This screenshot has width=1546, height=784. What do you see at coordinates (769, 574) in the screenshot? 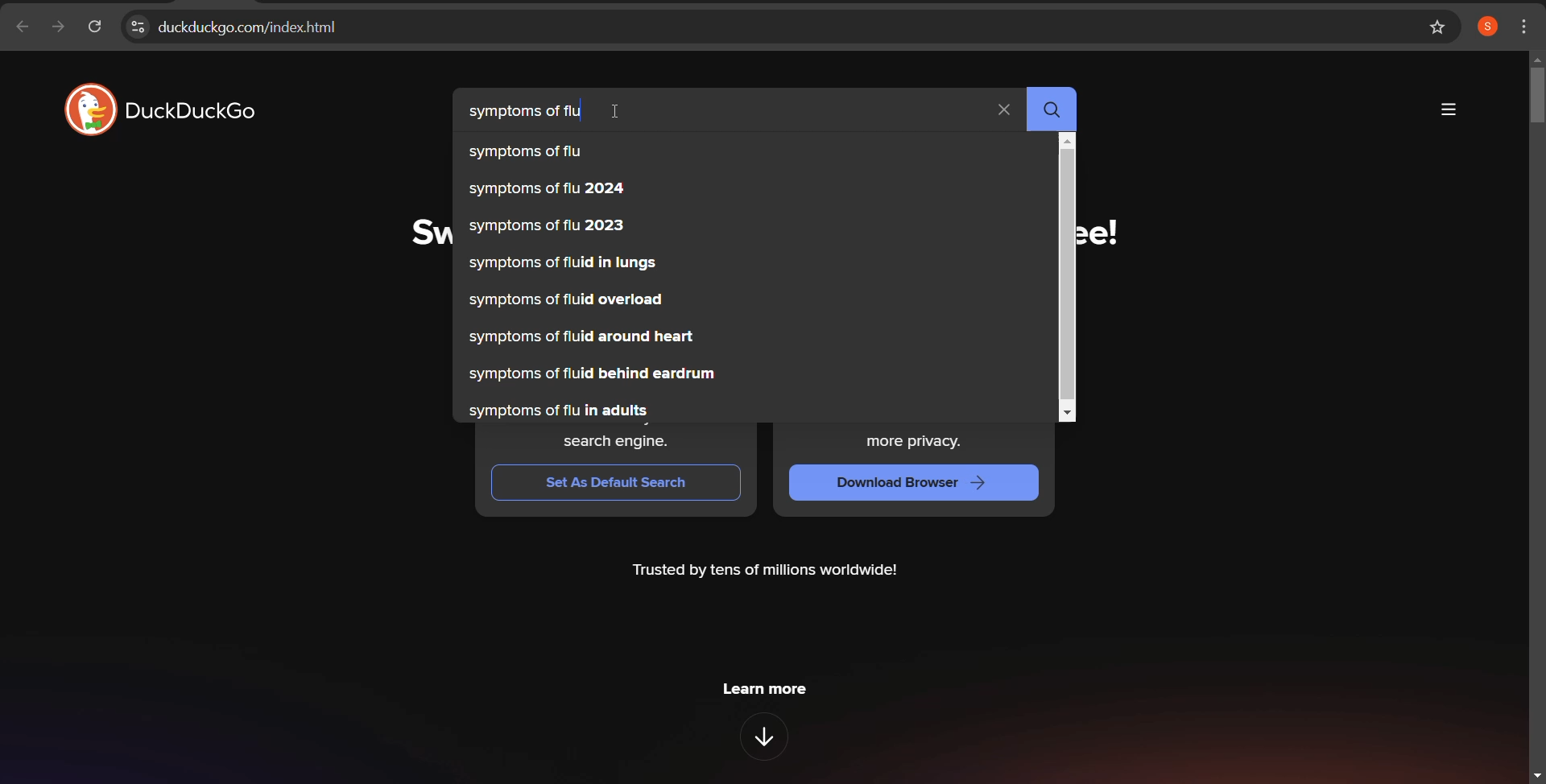
I see `Trusted by tens of millions worldwide!` at bounding box center [769, 574].